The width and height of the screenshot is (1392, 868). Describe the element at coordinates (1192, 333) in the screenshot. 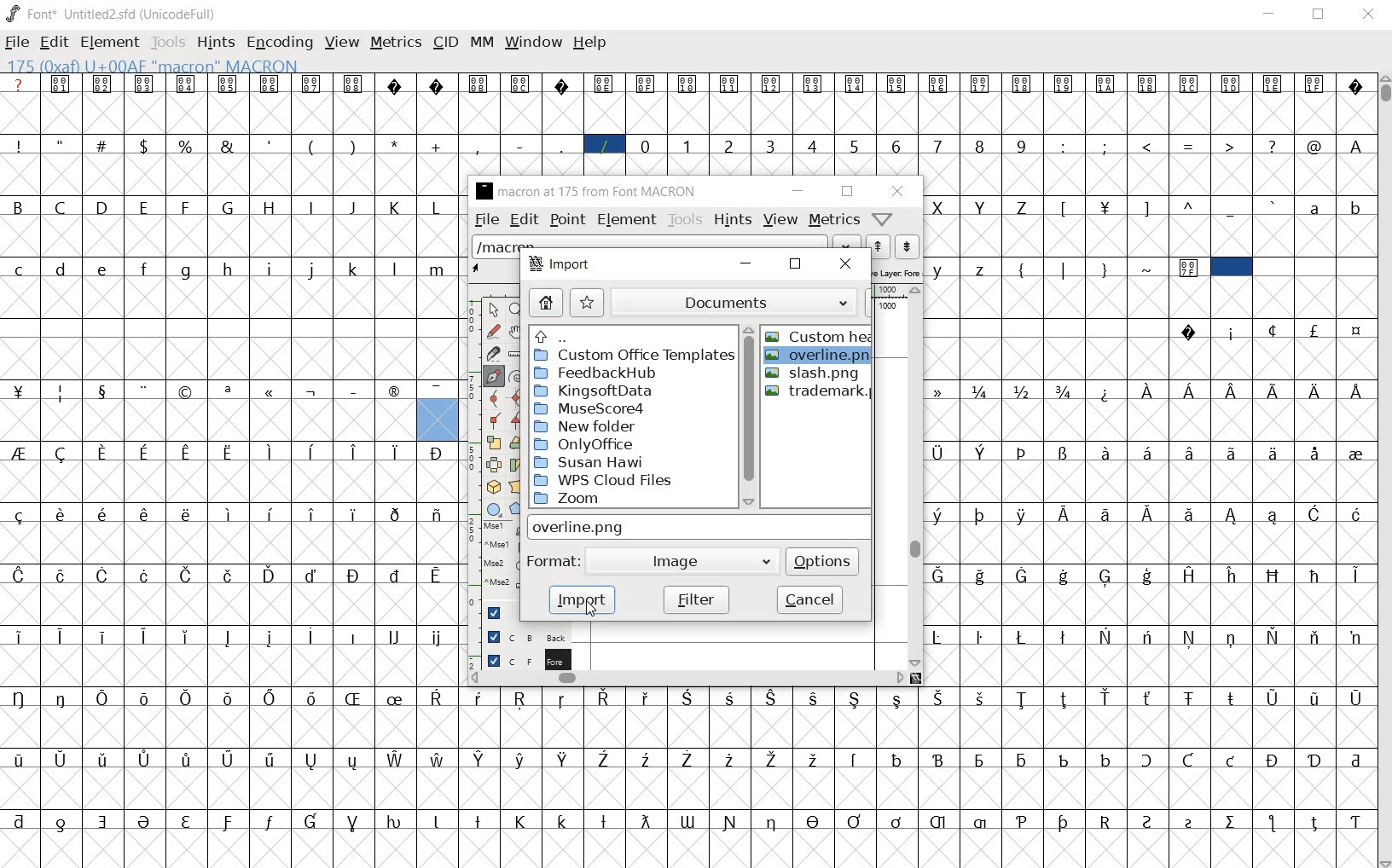

I see `Symbol` at that location.